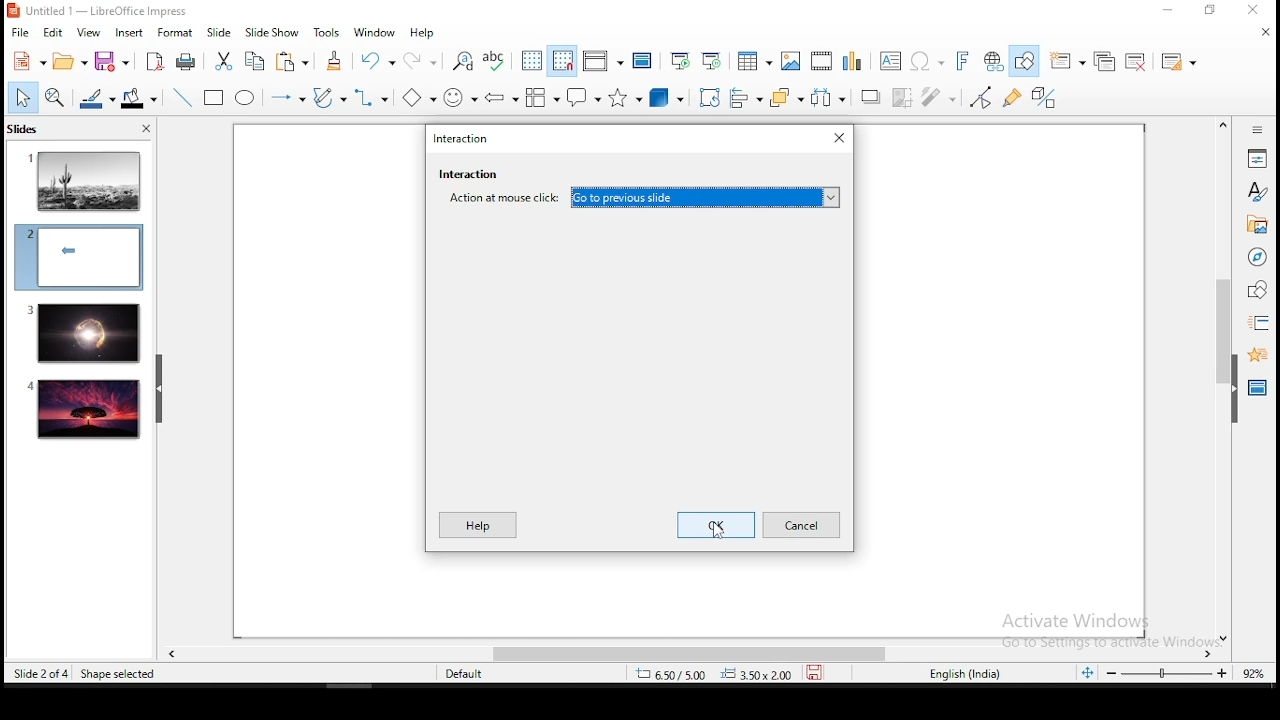 This screenshot has width=1280, height=720. Describe the element at coordinates (153, 62) in the screenshot. I see `export as pdf` at that location.